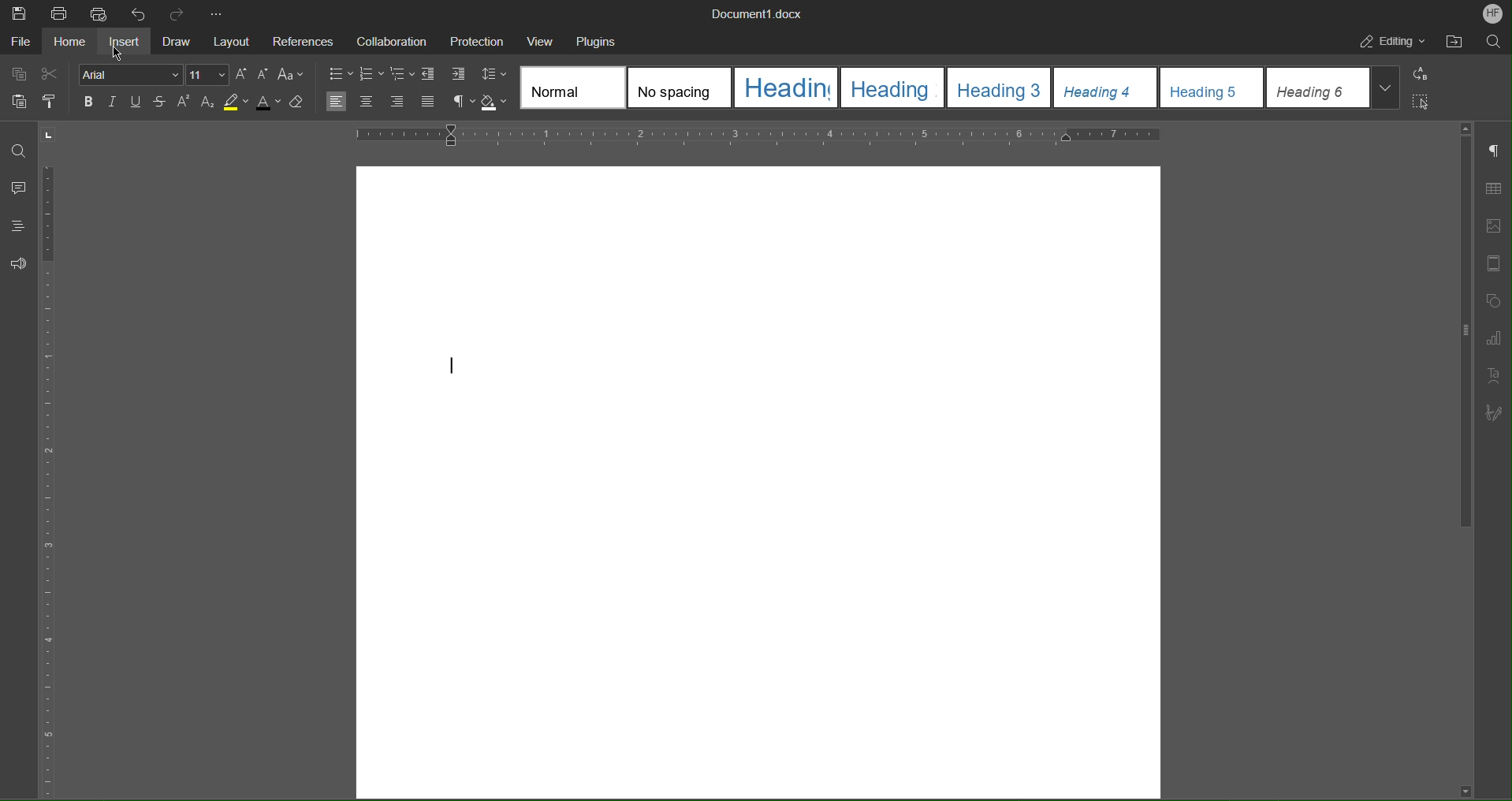 The width and height of the screenshot is (1512, 801). I want to click on Non-Printing Characters, so click(1492, 152).